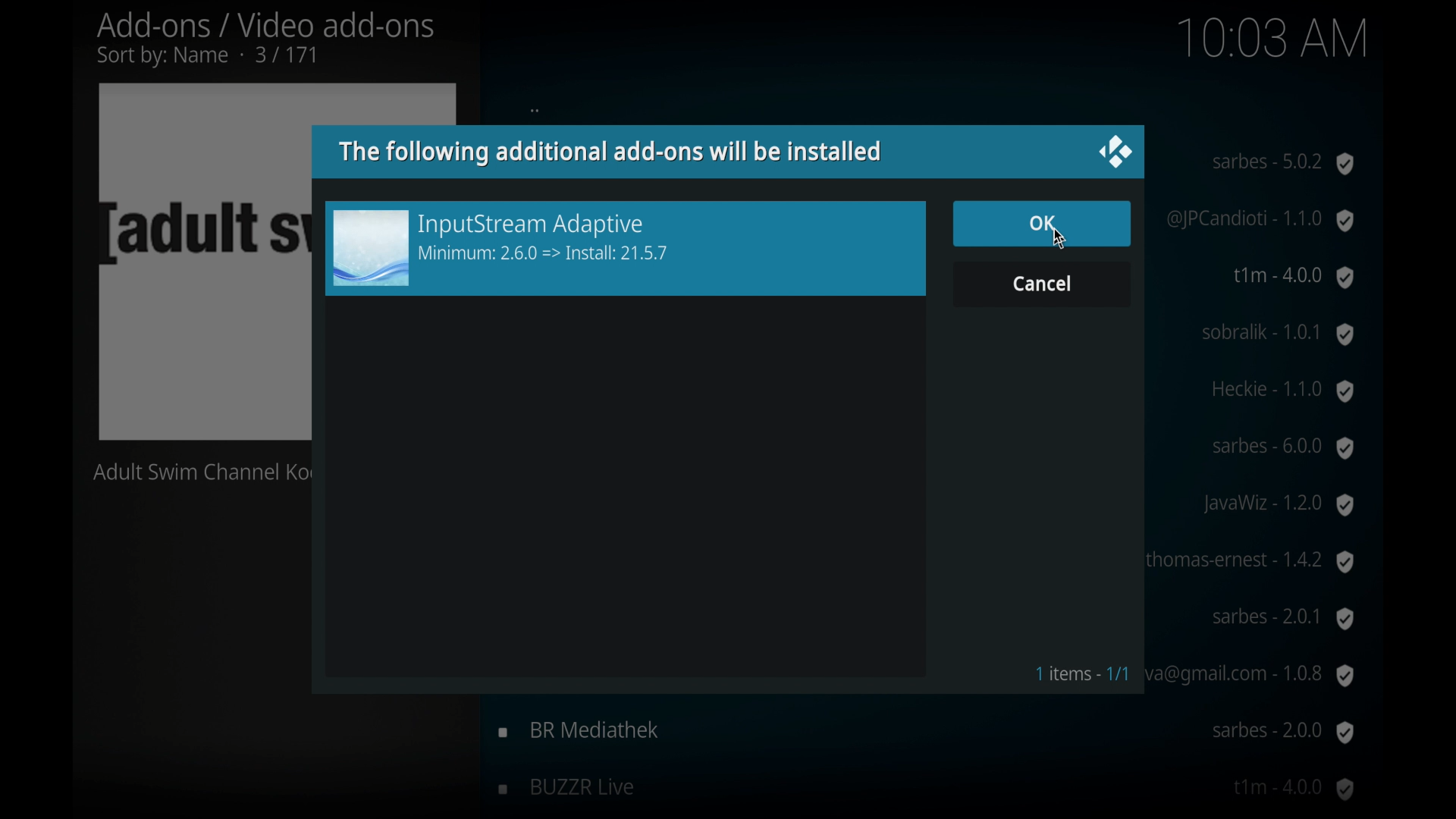 Image resolution: width=1456 pixels, height=819 pixels. Describe the element at coordinates (1274, 284) in the screenshot. I see `t1m-40.0` at that location.